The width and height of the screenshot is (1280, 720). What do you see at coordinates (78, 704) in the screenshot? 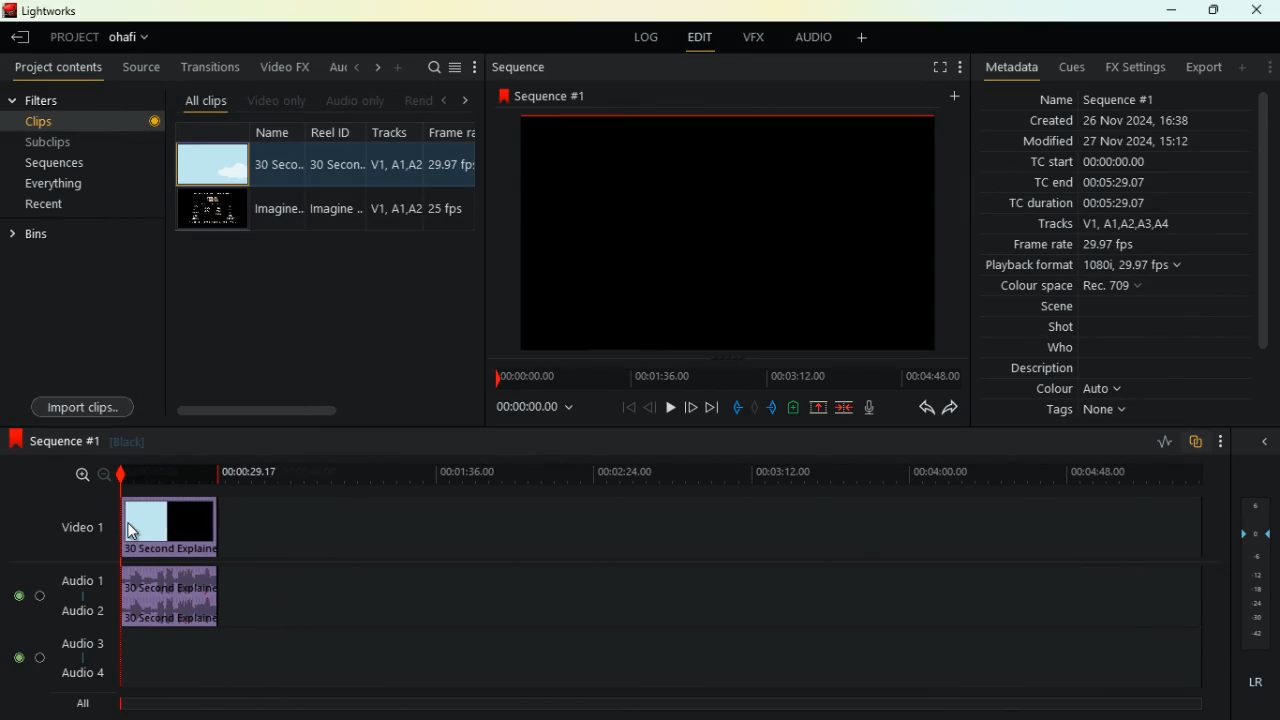
I see `all` at bounding box center [78, 704].